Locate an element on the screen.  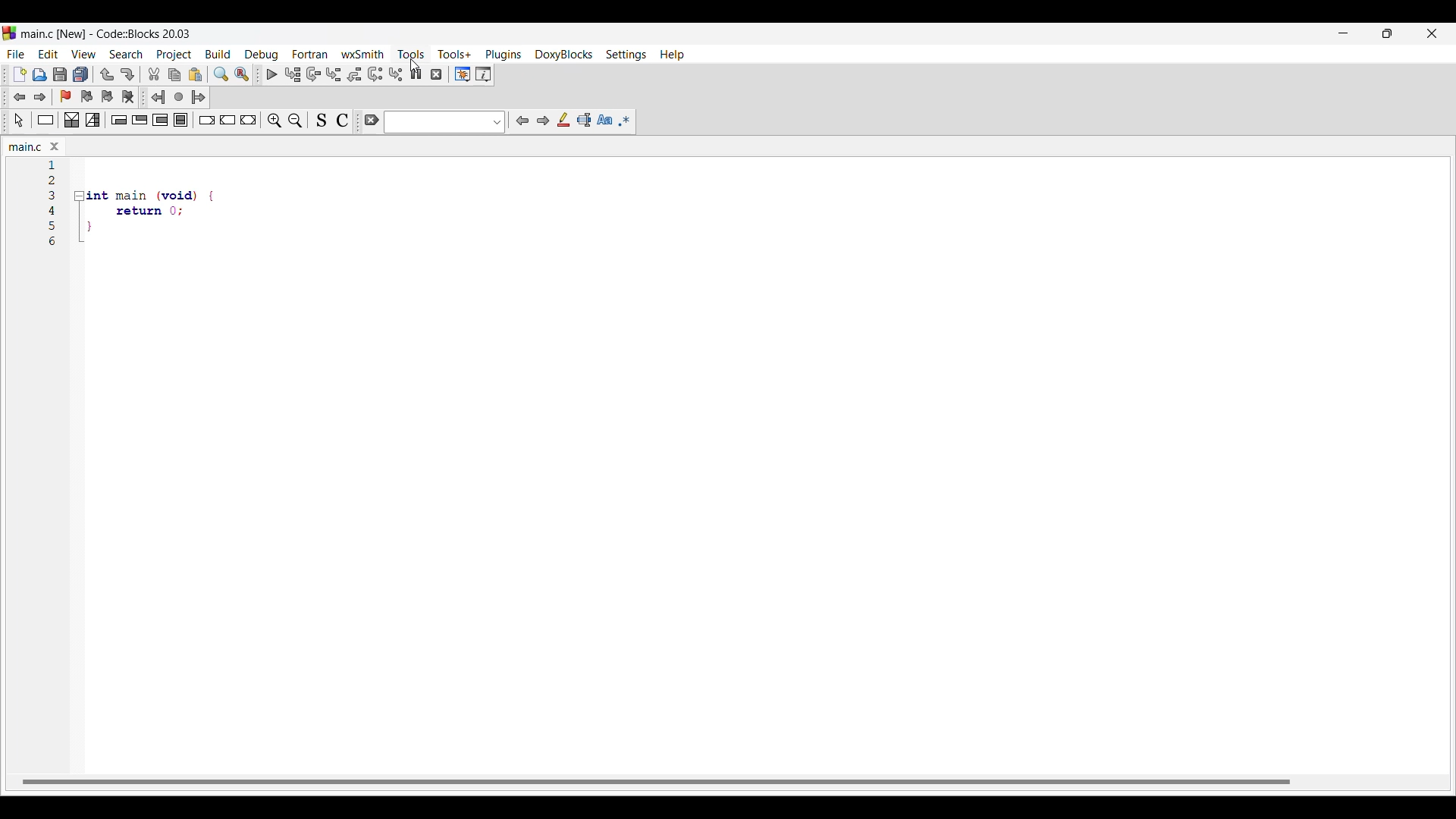
Clear bookmarks is located at coordinates (128, 97).